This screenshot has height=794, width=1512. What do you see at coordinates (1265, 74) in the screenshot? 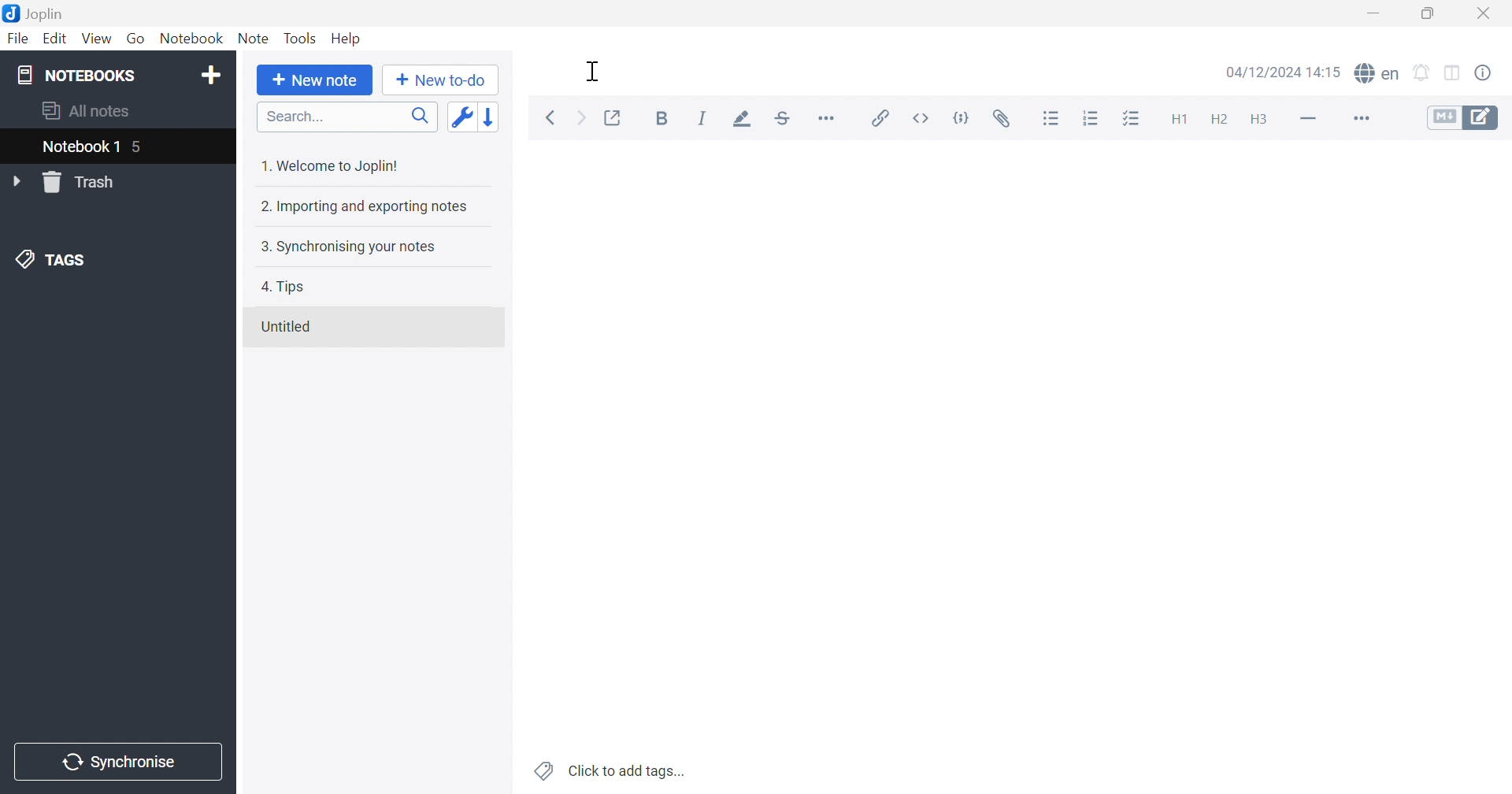
I see `04/12/2024` at bounding box center [1265, 74].